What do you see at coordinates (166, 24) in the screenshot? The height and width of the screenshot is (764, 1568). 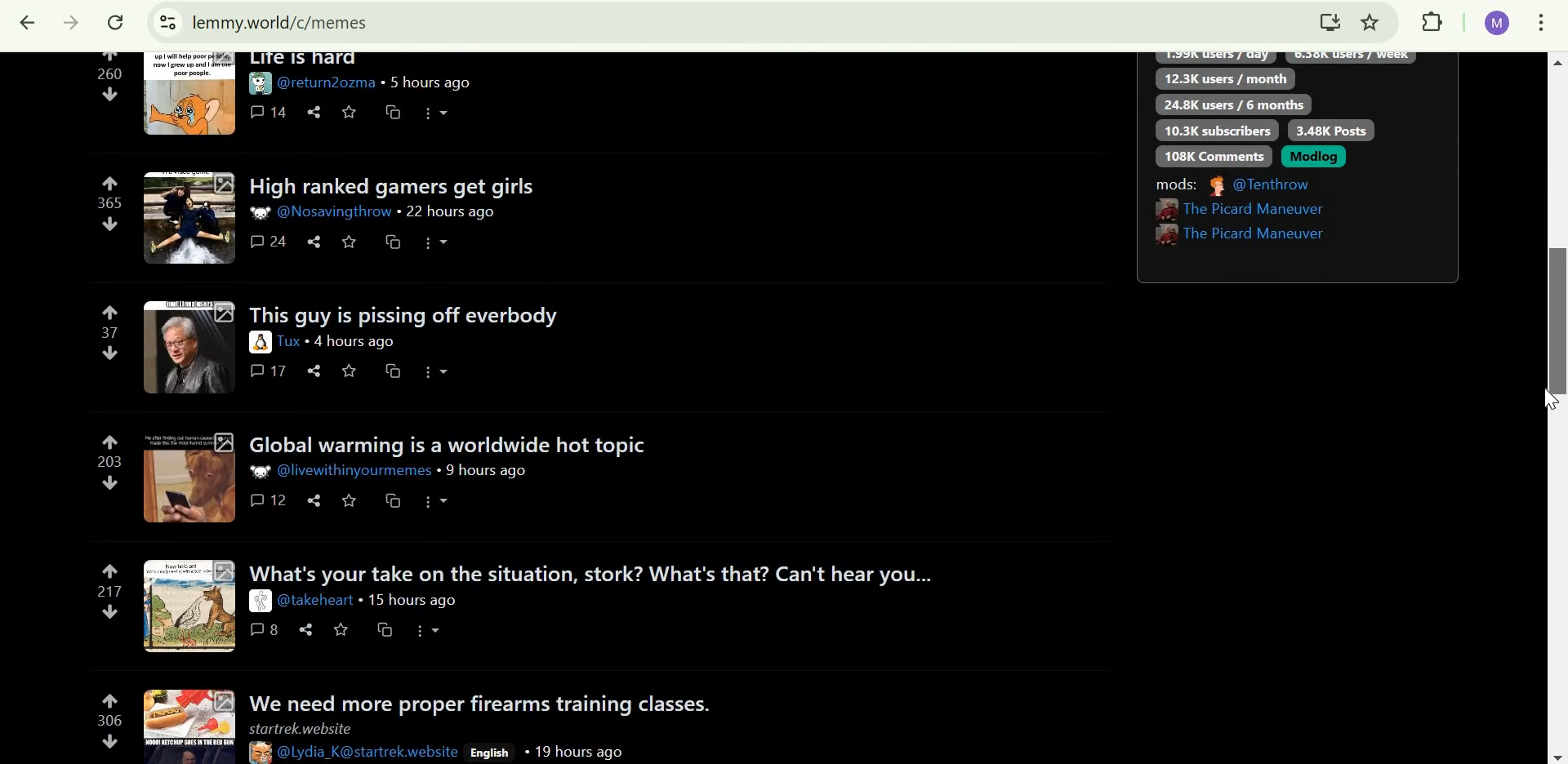 I see `view site information` at bounding box center [166, 24].